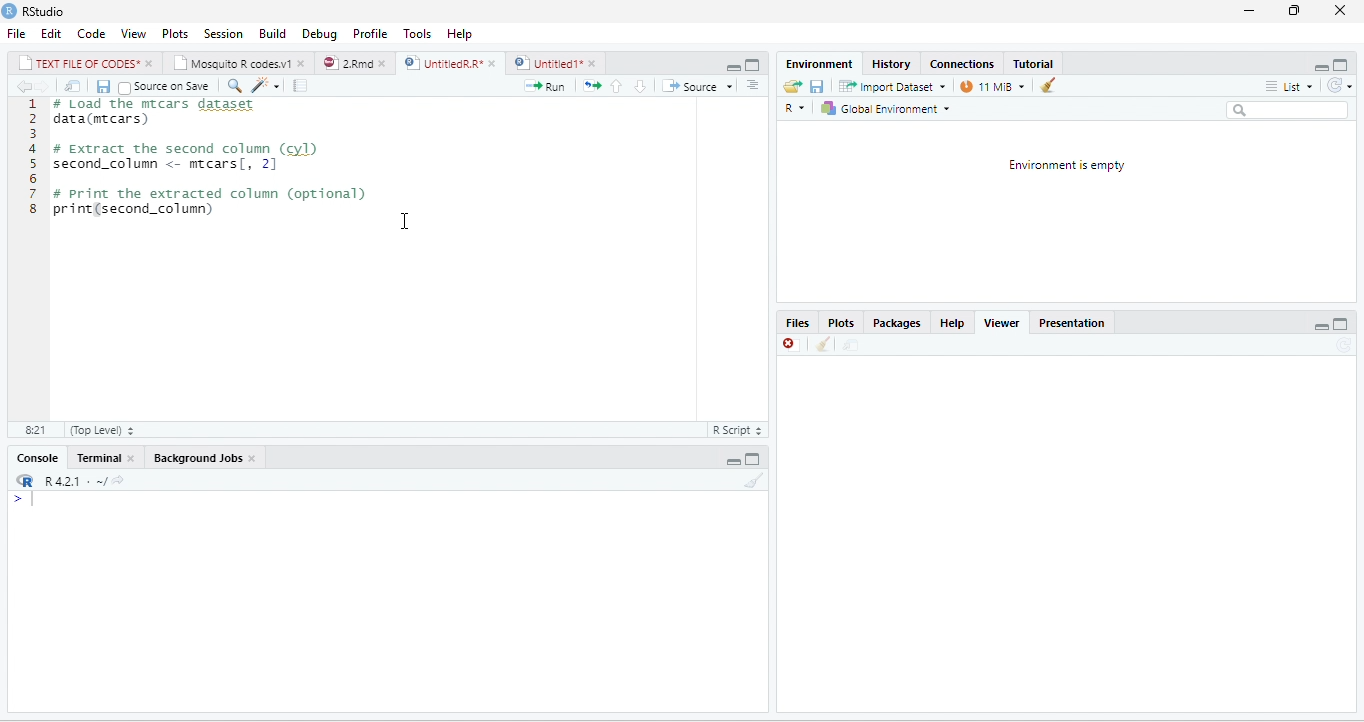 The height and width of the screenshot is (722, 1364). I want to click on  Import Dataset , so click(893, 86).